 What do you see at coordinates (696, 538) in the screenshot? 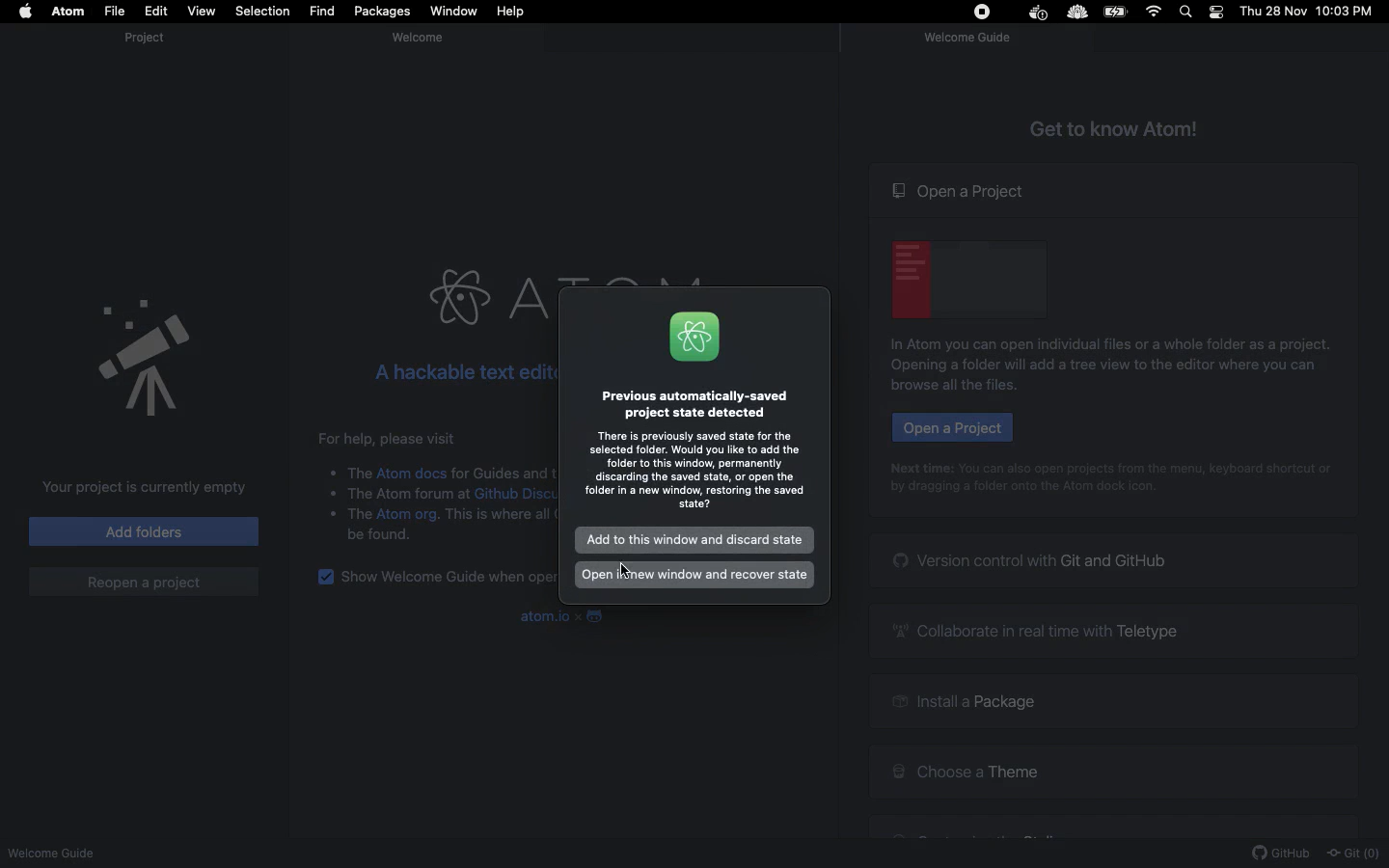
I see `Add to this window and discard state` at bounding box center [696, 538].